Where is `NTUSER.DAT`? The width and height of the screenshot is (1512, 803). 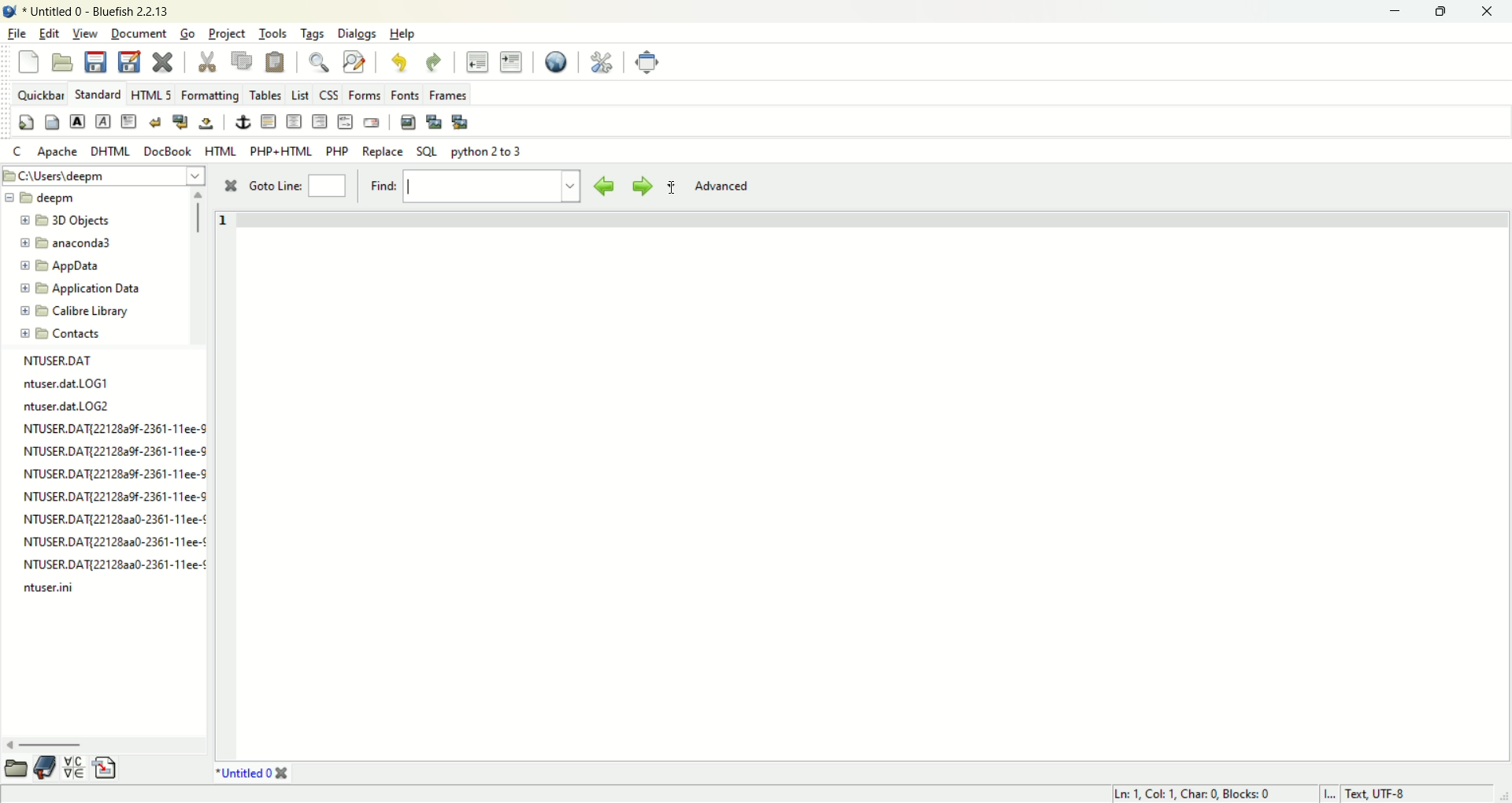 NTUSER.DAT is located at coordinates (61, 361).